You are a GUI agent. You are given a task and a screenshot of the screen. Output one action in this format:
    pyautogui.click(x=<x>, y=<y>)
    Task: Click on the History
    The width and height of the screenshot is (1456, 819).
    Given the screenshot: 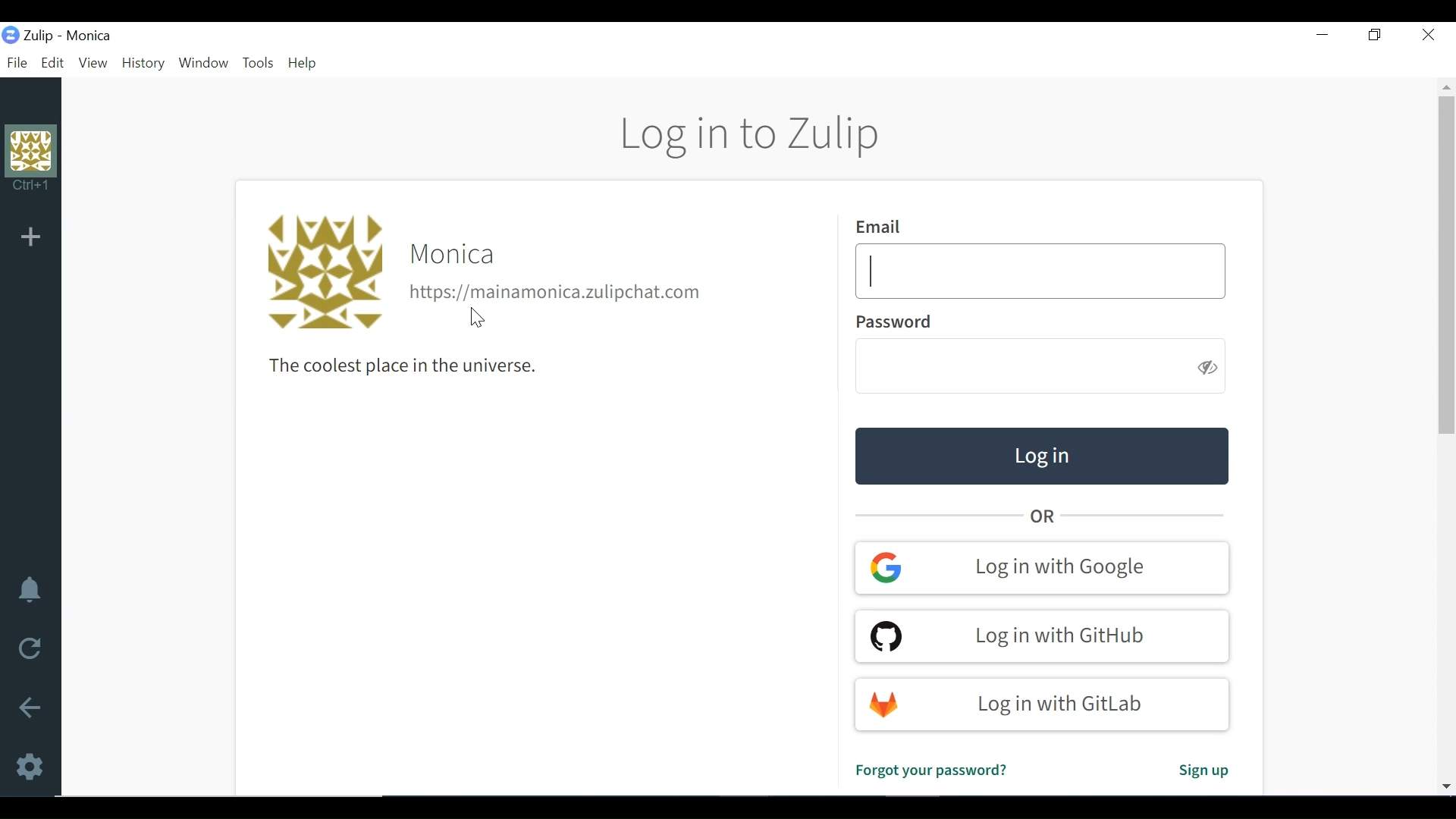 What is the action you would take?
    pyautogui.click(x=145, y=64)
    